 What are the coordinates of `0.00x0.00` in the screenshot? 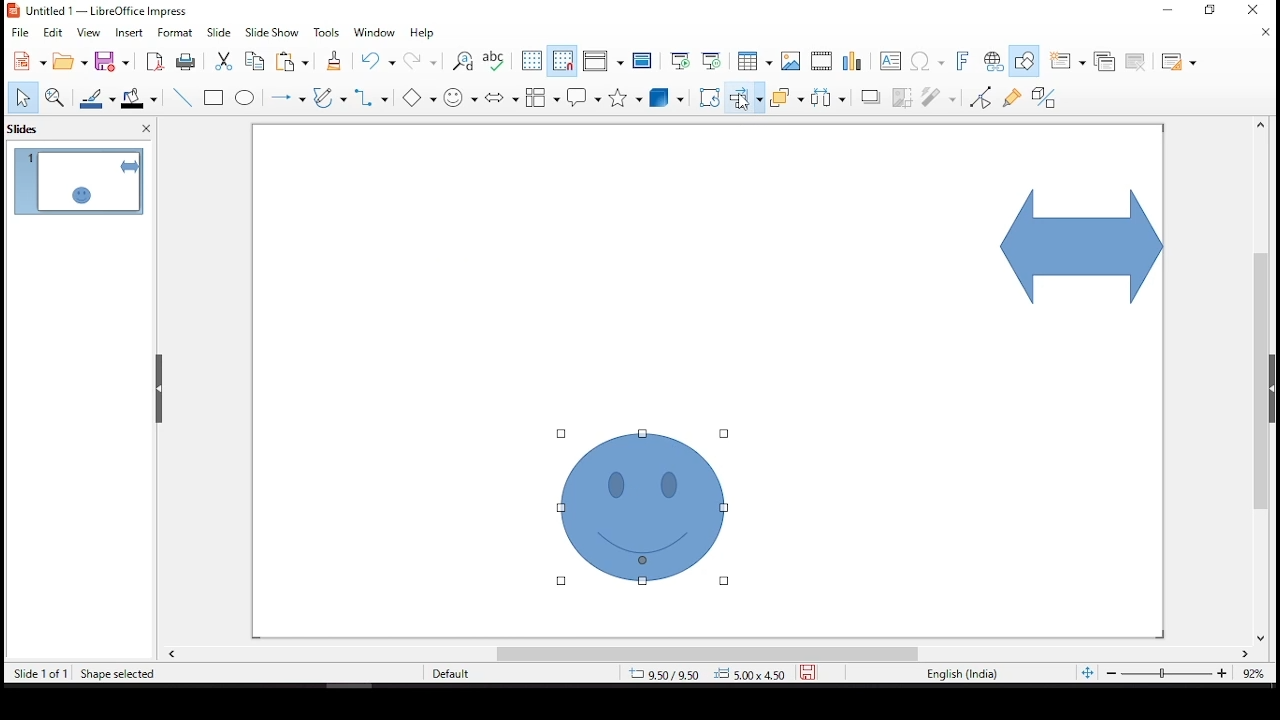 It's located at (749, 672).